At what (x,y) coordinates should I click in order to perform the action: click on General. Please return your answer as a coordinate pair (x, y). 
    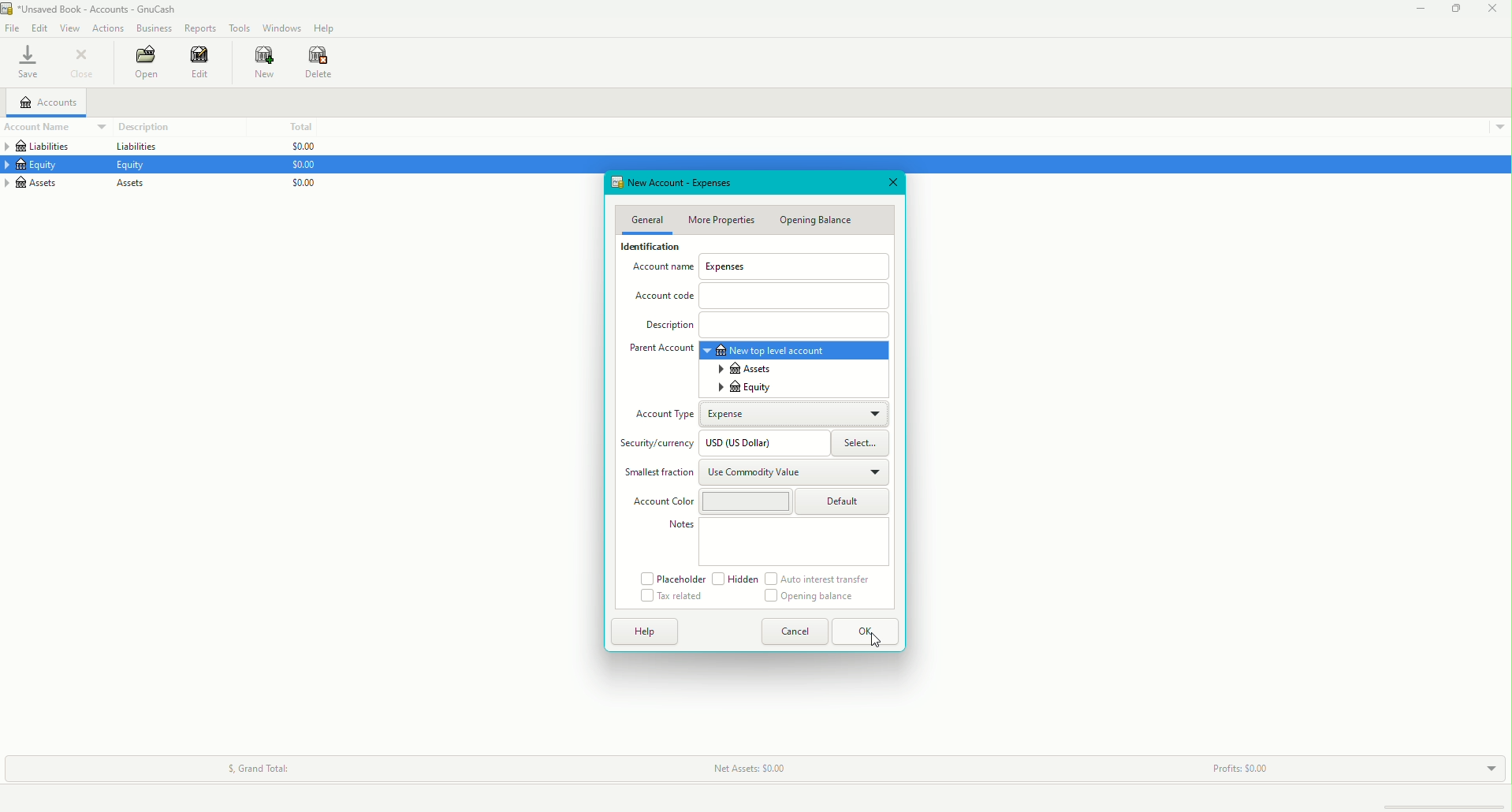
    Looking at the image, I should click on (647, 220).